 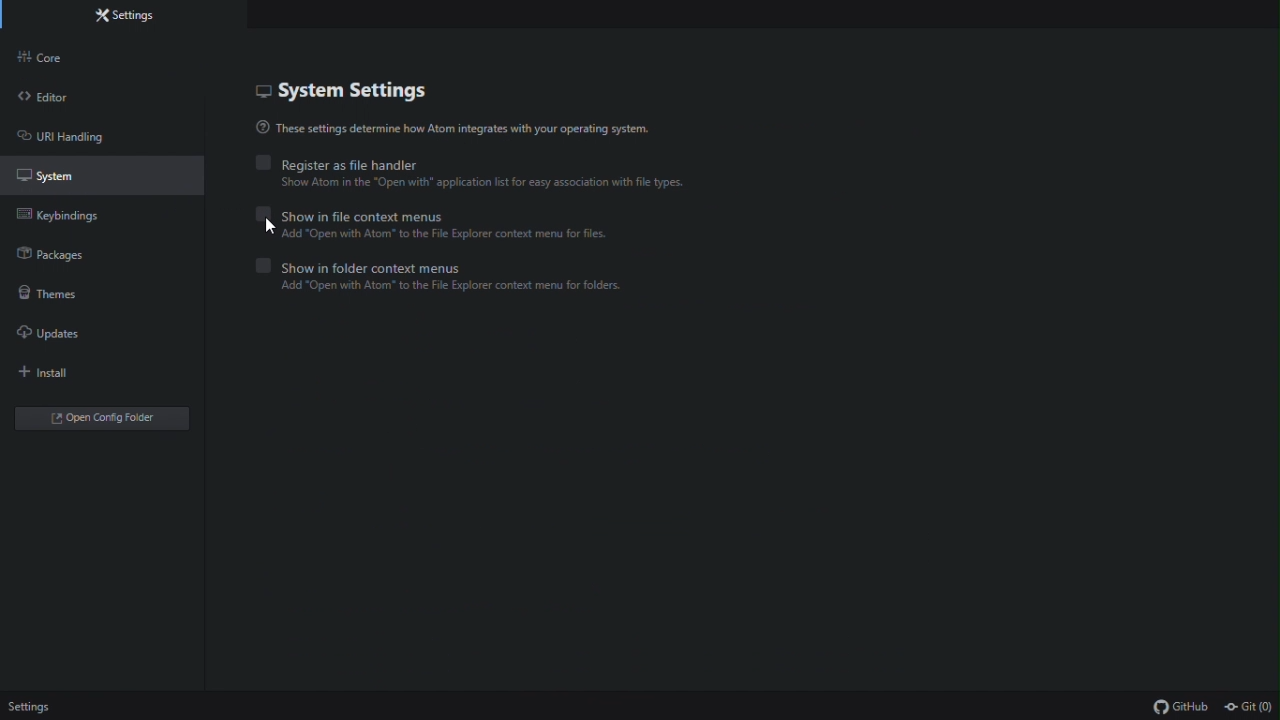 I want to click on Packages, so click(x=68, y=258).